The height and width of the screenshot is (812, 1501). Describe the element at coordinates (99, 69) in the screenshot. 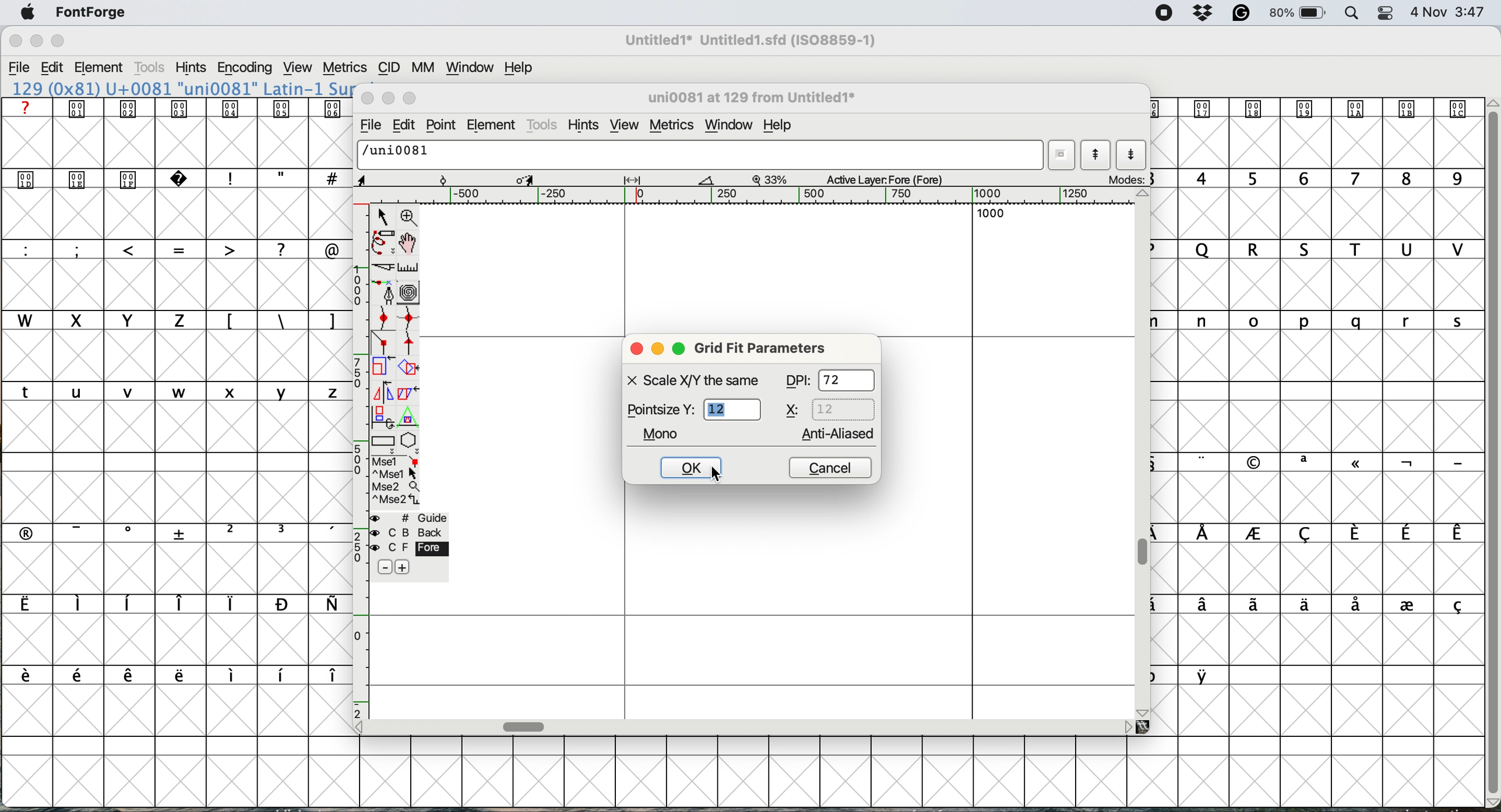

I see `Element` at that location.